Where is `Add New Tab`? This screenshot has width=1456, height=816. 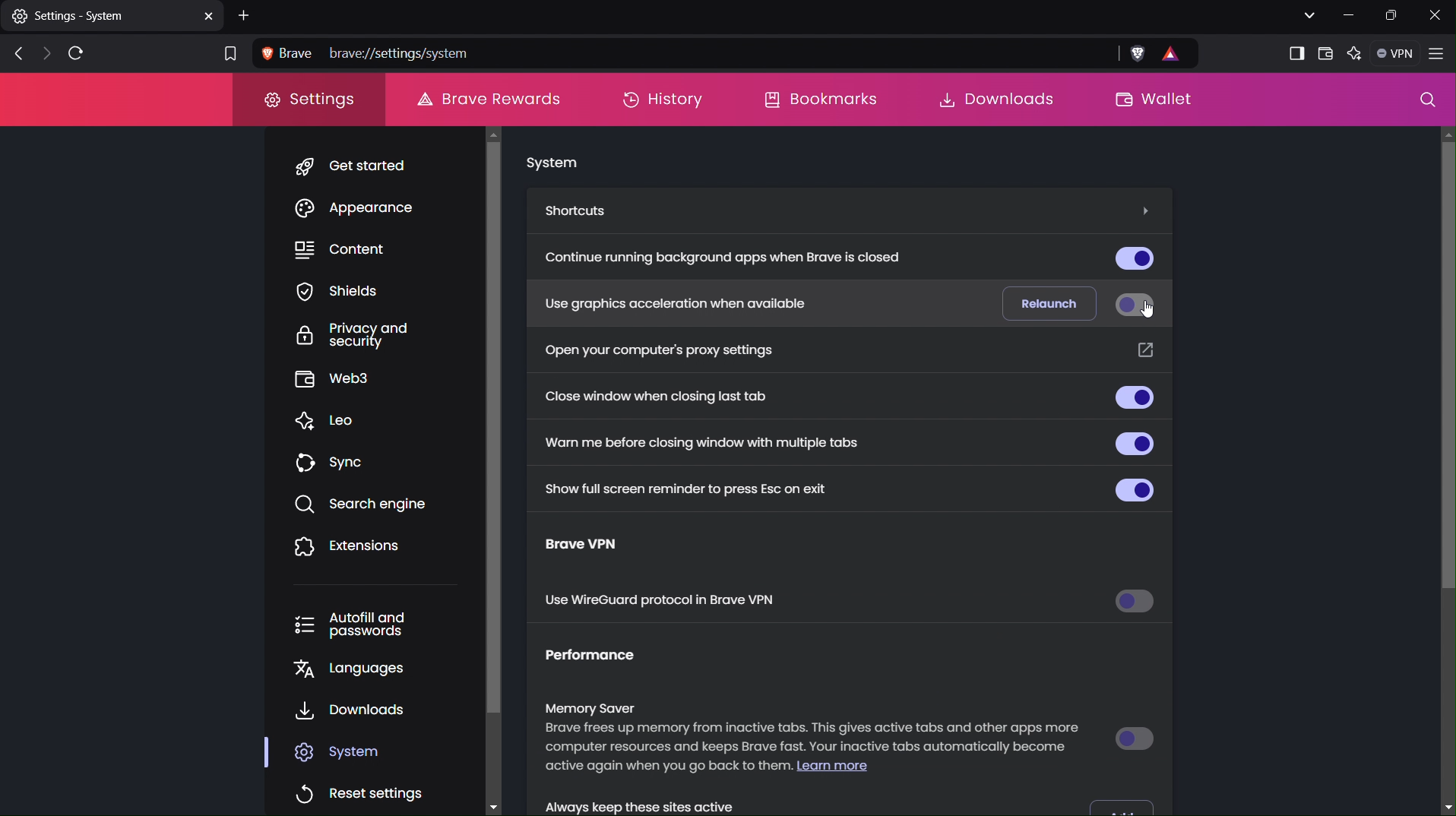
Add New Tab is located at coordinates (246, 14).